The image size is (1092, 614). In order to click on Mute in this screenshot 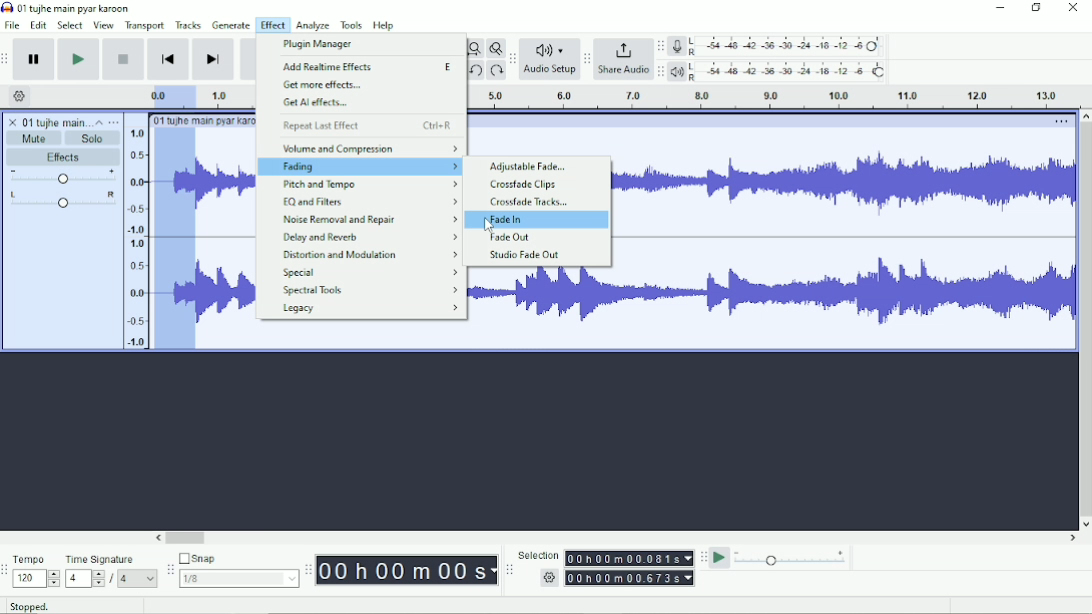, I will do `click(35, 138)`.